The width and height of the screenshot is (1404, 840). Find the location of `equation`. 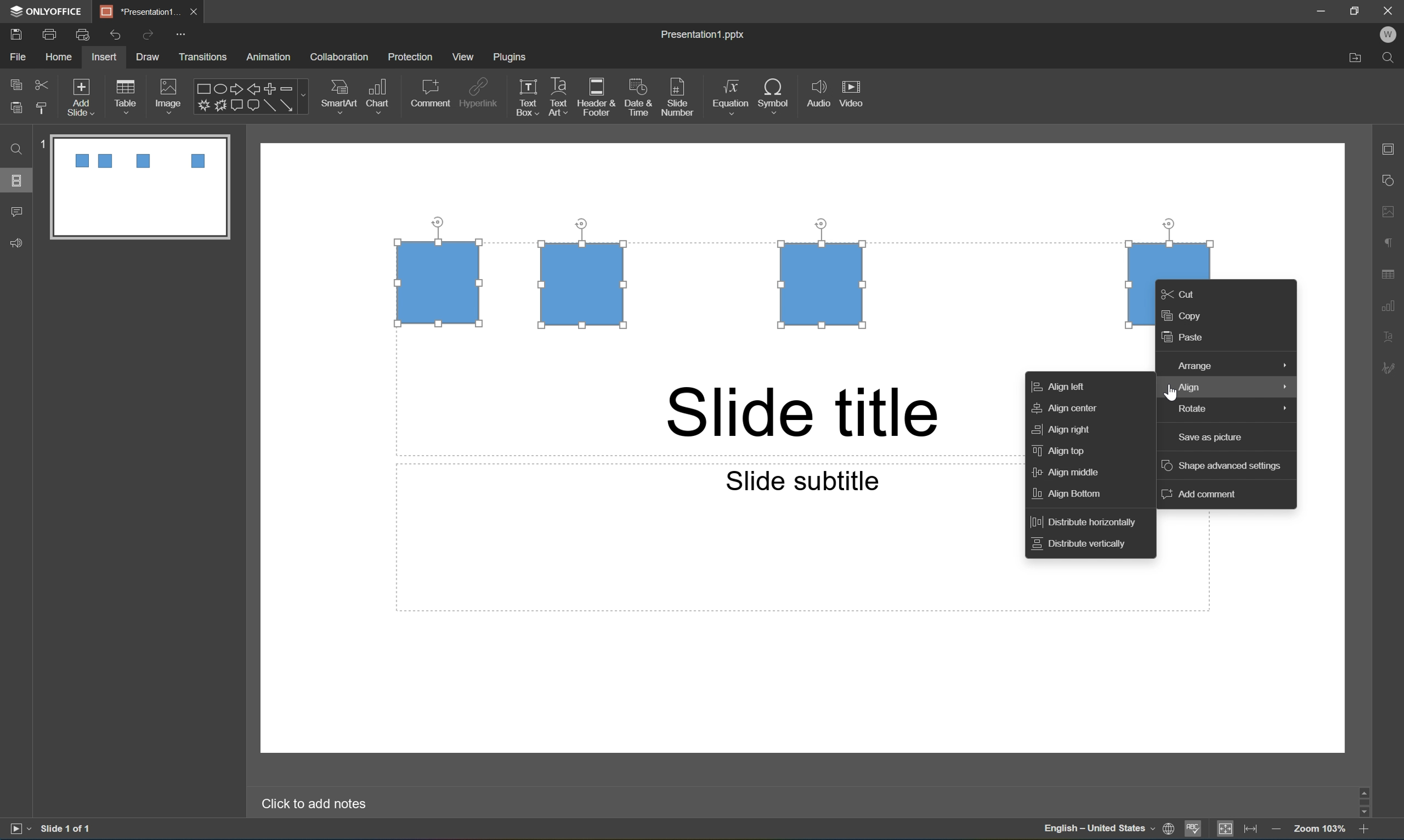

equation is located at coordinates (729, 95).